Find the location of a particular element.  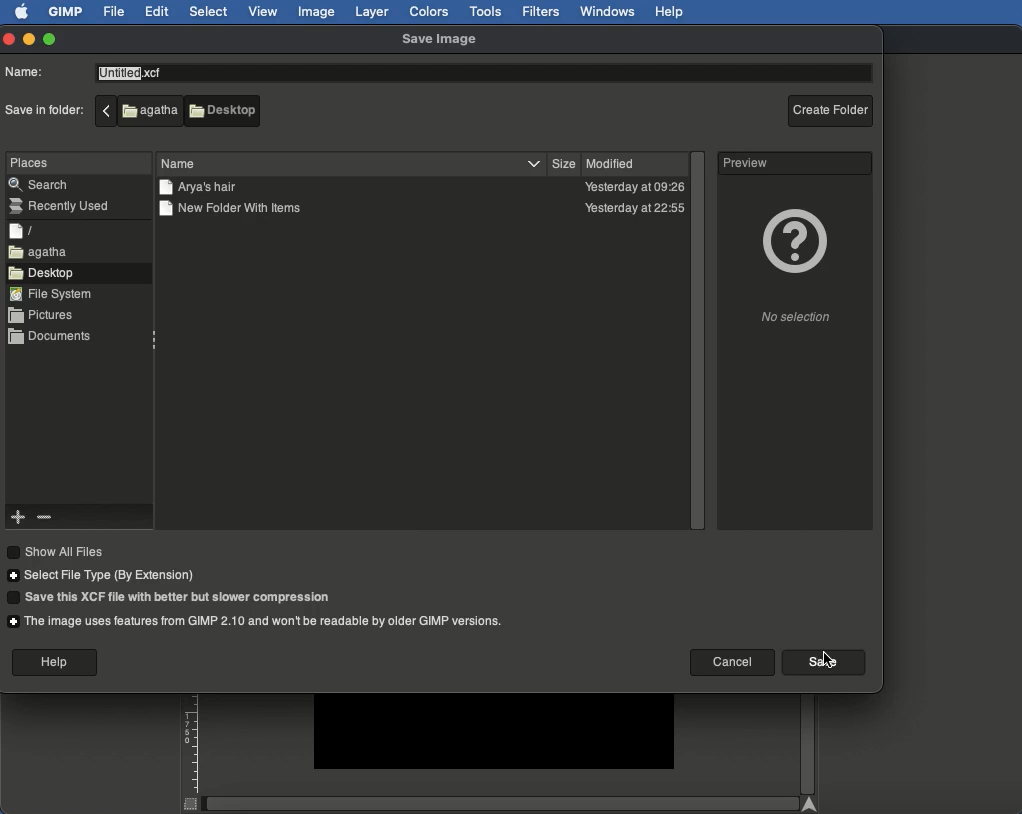

Maximize is located at coordinates (49, 38).